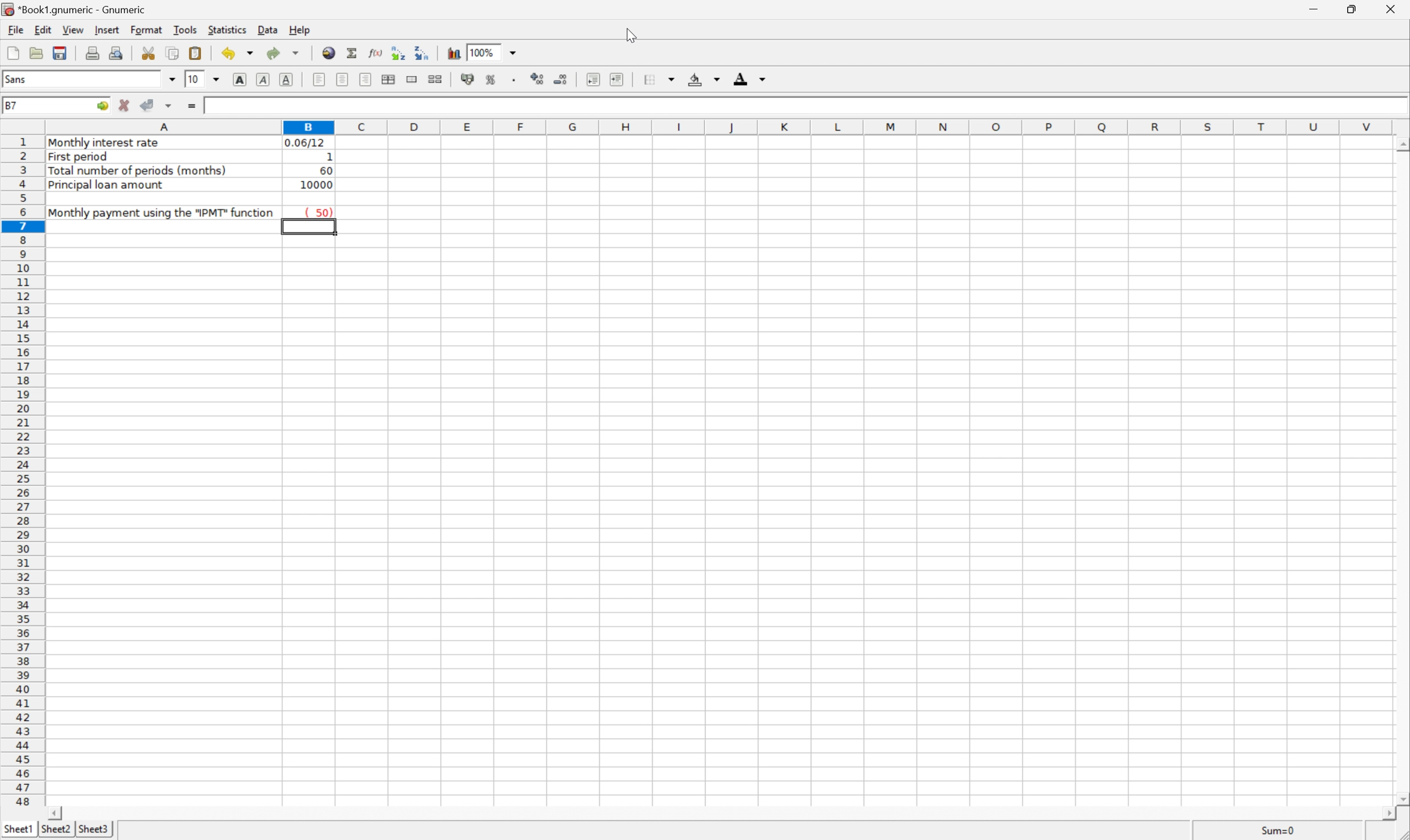 The width and height of the screenshot is (1410, 840). I want to click on Scroll Up, so click(1401, 143).